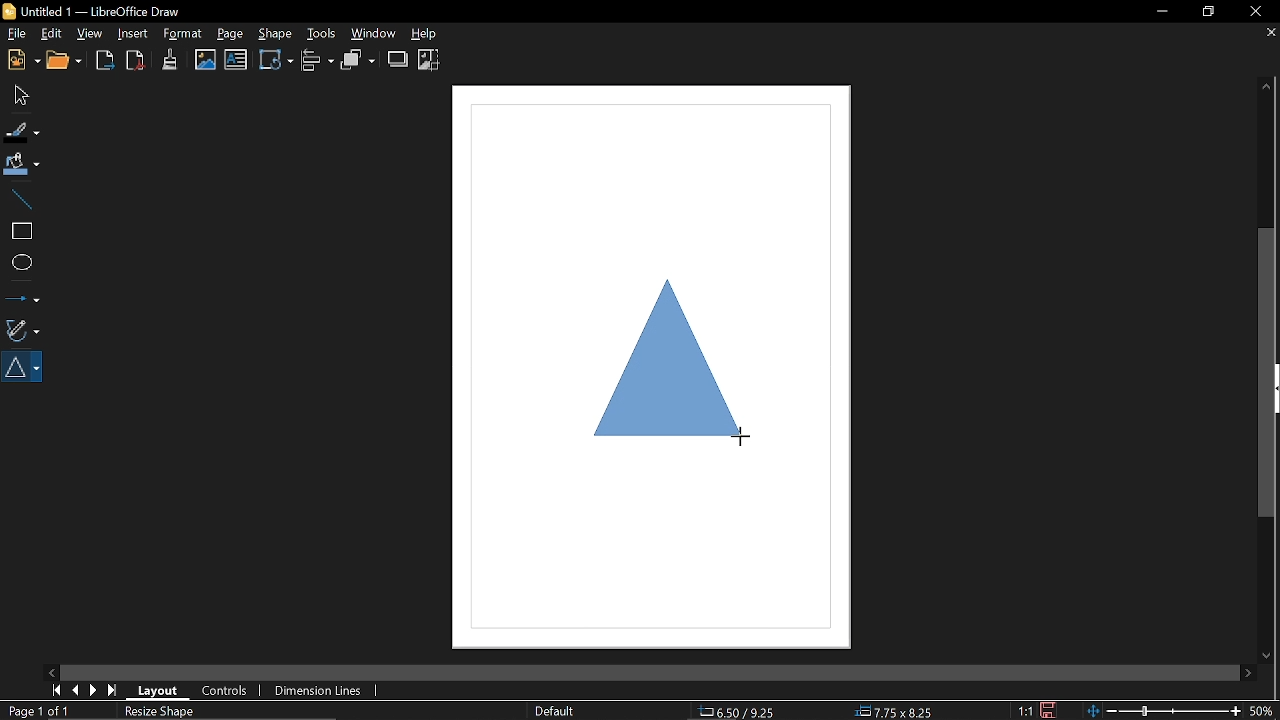 The height and width of the screenshot is (720, 1280). What do you see at coordinates (319, 32) in the screenshot?
I see `Tools` at bounding box center [319, 32].